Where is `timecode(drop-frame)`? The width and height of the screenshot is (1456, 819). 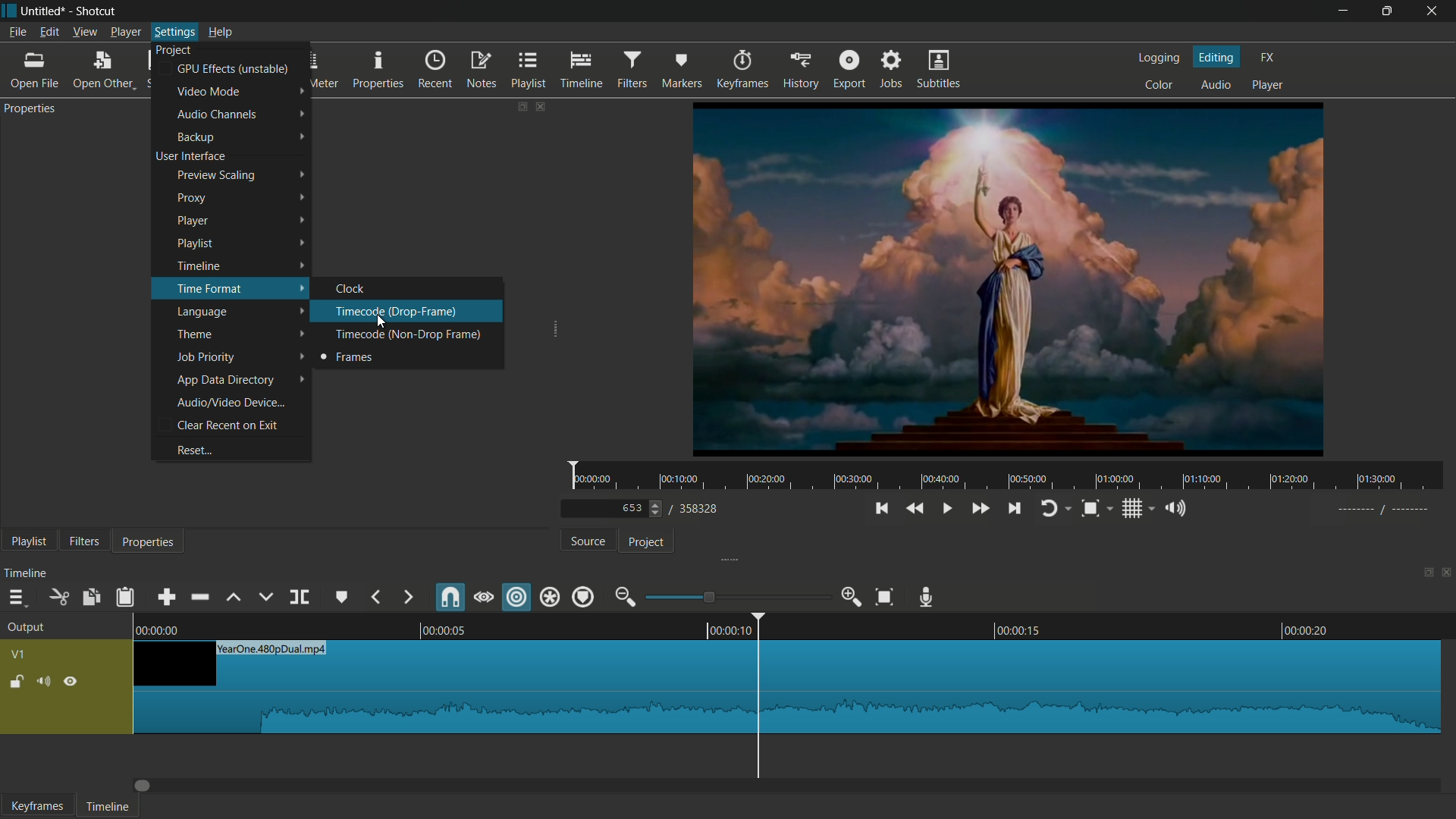 timecode(drop-frame) is located at coordinates (398, 312).